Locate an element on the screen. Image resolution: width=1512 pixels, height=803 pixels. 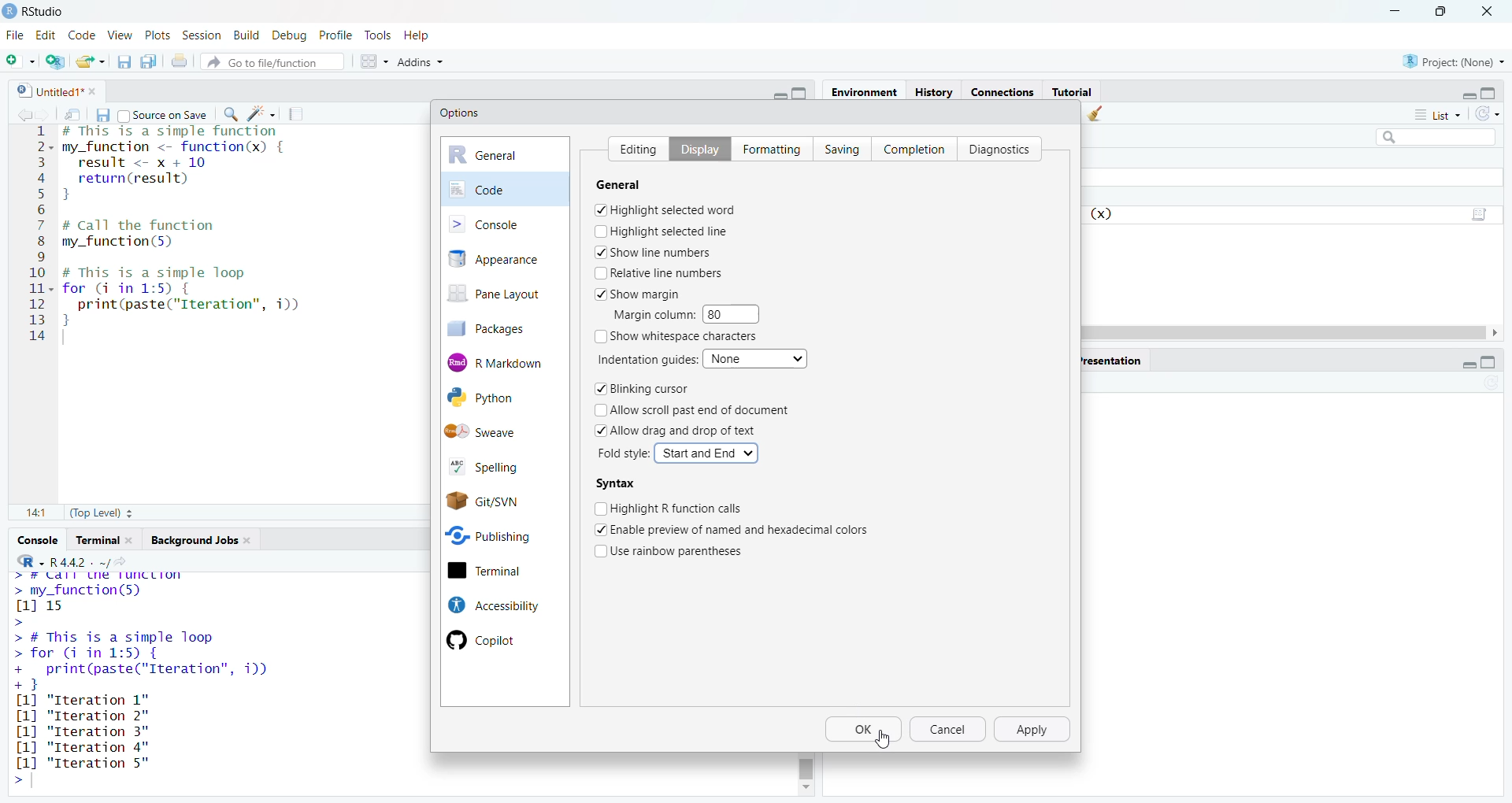
console is located at coordinates (35, 540).